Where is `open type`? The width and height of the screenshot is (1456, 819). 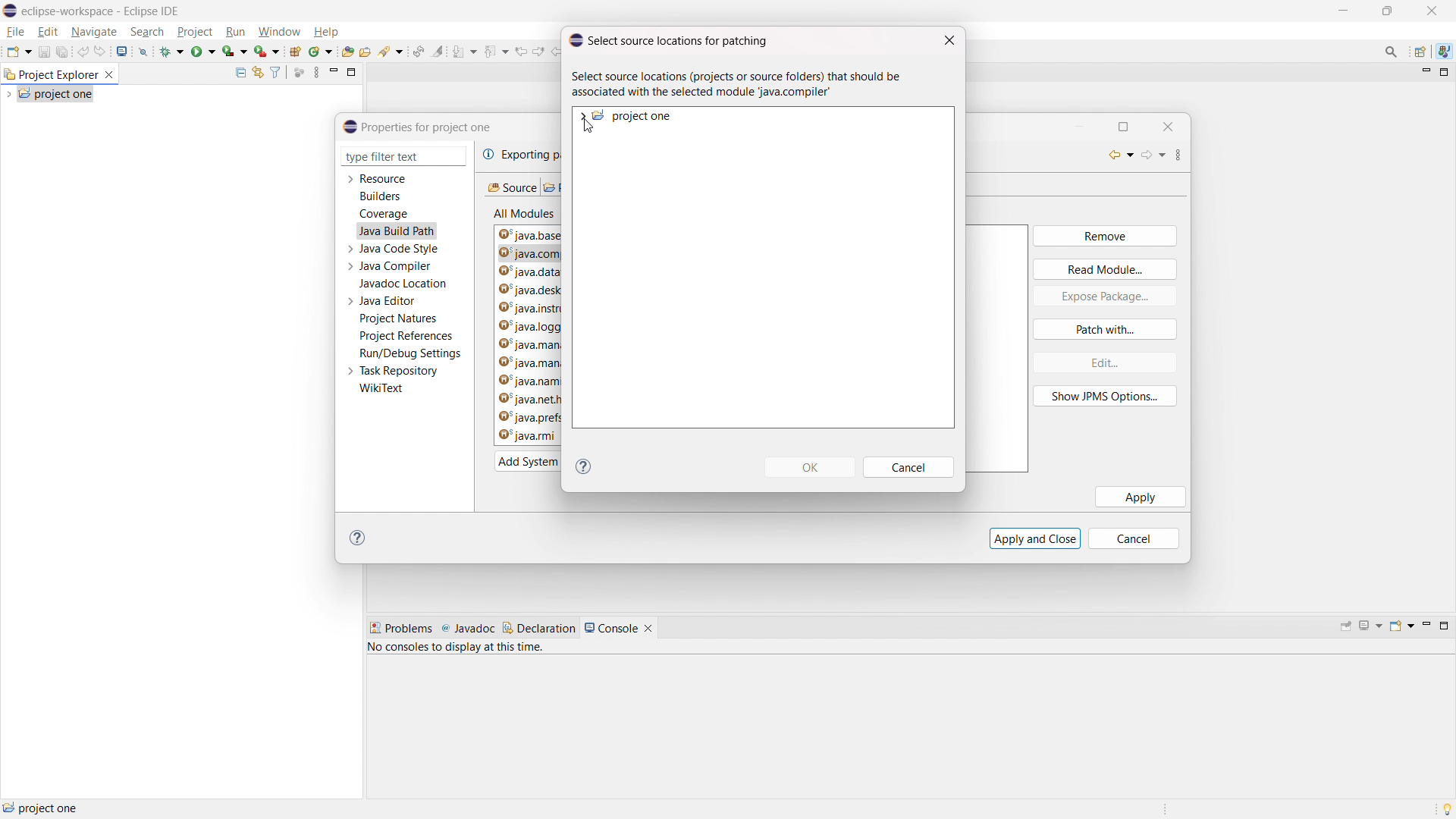 open type is located at coordinates (348, 51).